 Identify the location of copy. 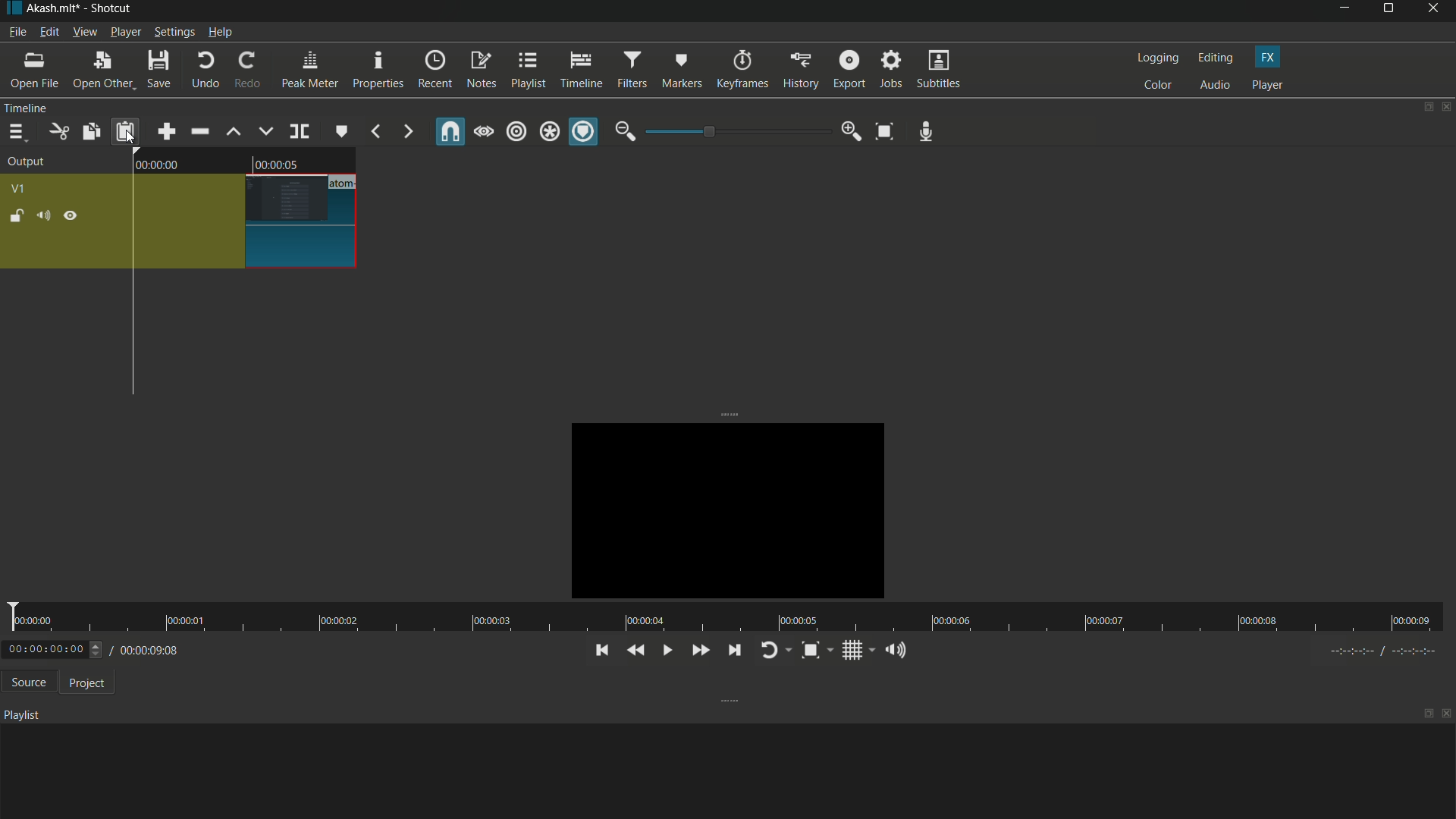
(90, 131).